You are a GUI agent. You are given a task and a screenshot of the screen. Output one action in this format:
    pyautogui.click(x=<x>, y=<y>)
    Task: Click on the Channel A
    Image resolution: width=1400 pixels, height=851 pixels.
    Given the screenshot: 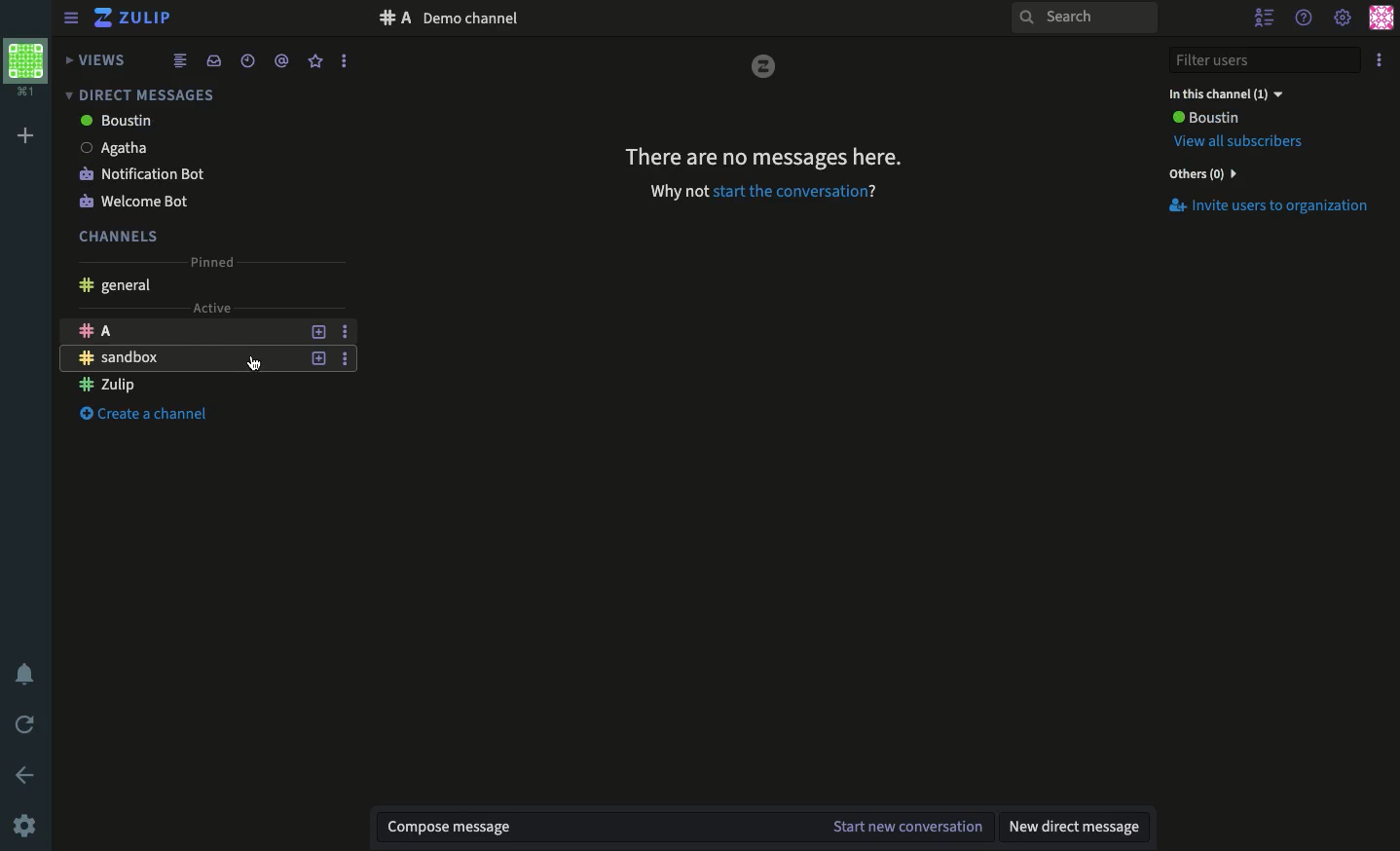 What is the action you would take?
    pyautogui.click(x=183, y=330)
    